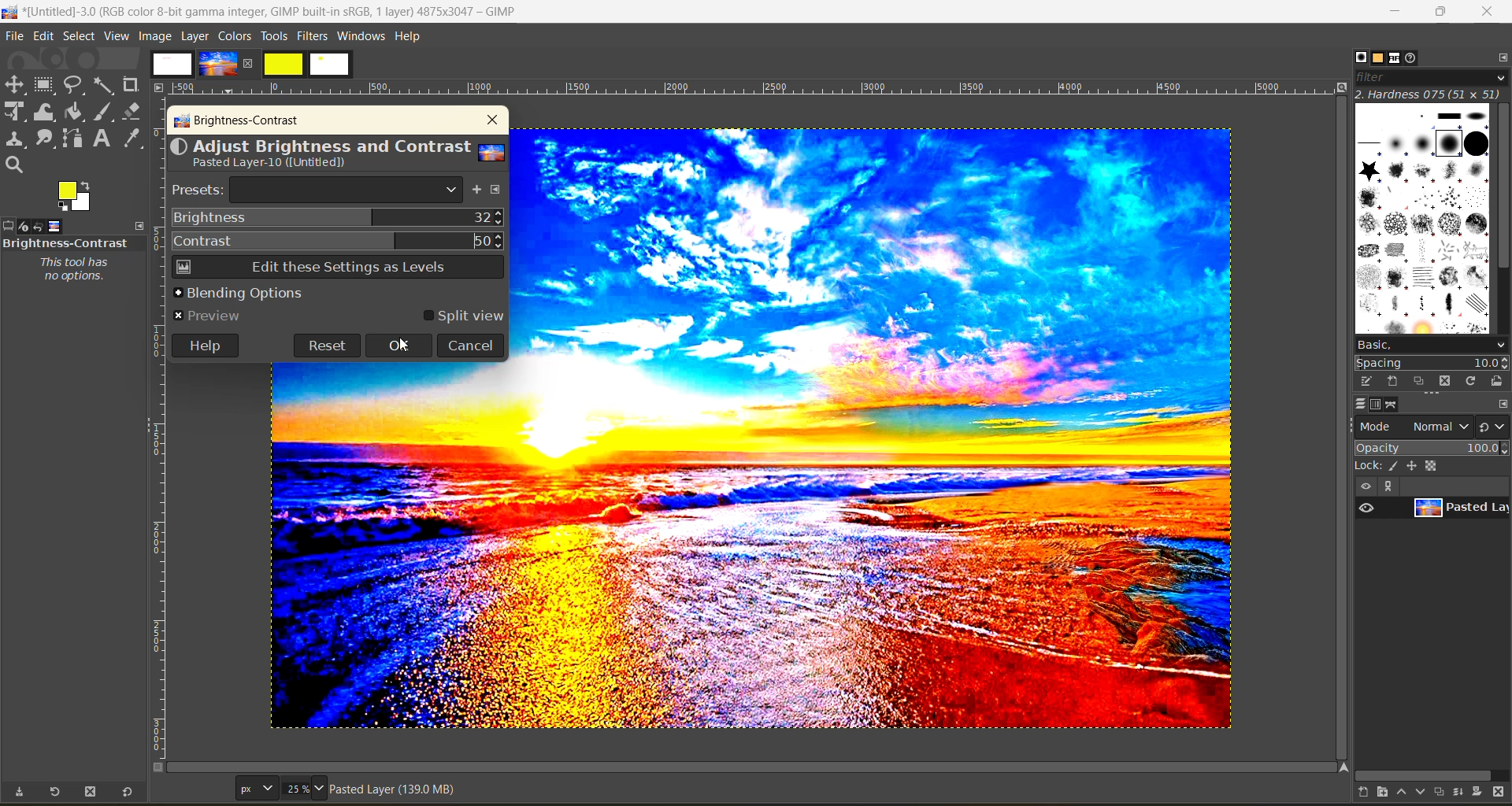 The width and height of the screenshot is (1512, 806). I want to click on save tool preset, so click(19, 792).